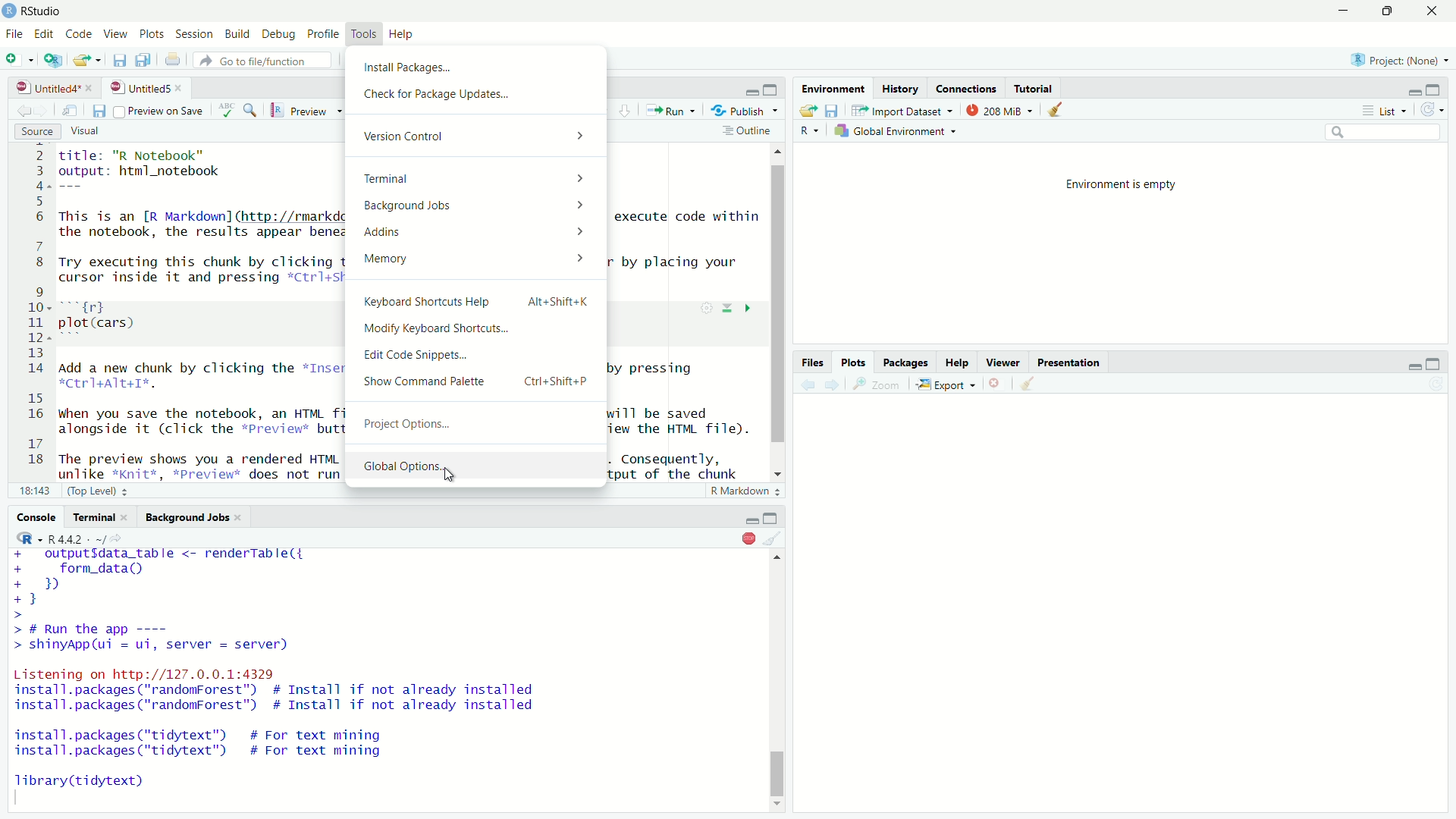 The image size is (1456, 819). Describe the element at coordinates (1431, 11) in the screenshot. I see `close` at that location.